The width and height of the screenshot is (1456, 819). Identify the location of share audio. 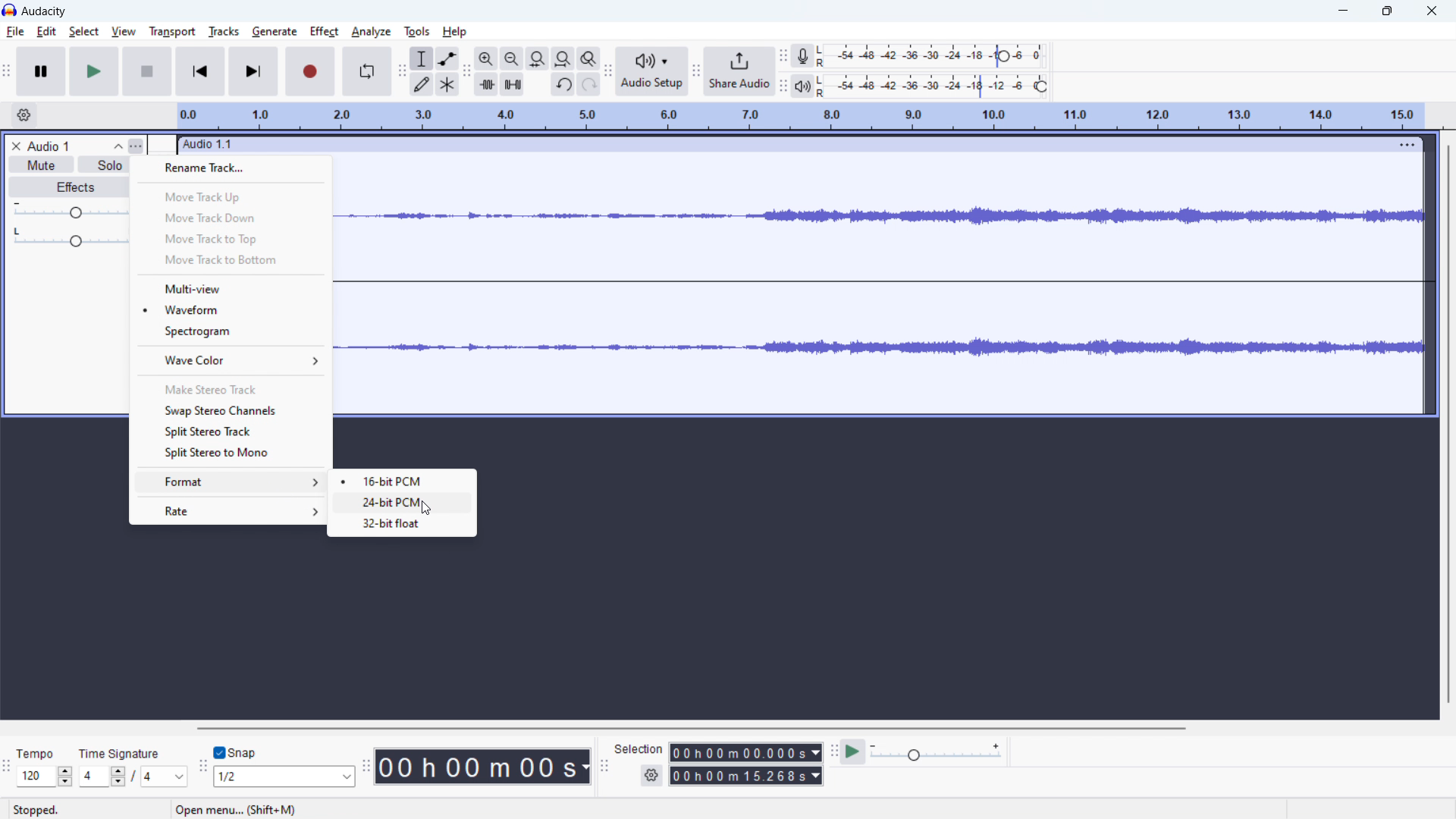
(741, 71).